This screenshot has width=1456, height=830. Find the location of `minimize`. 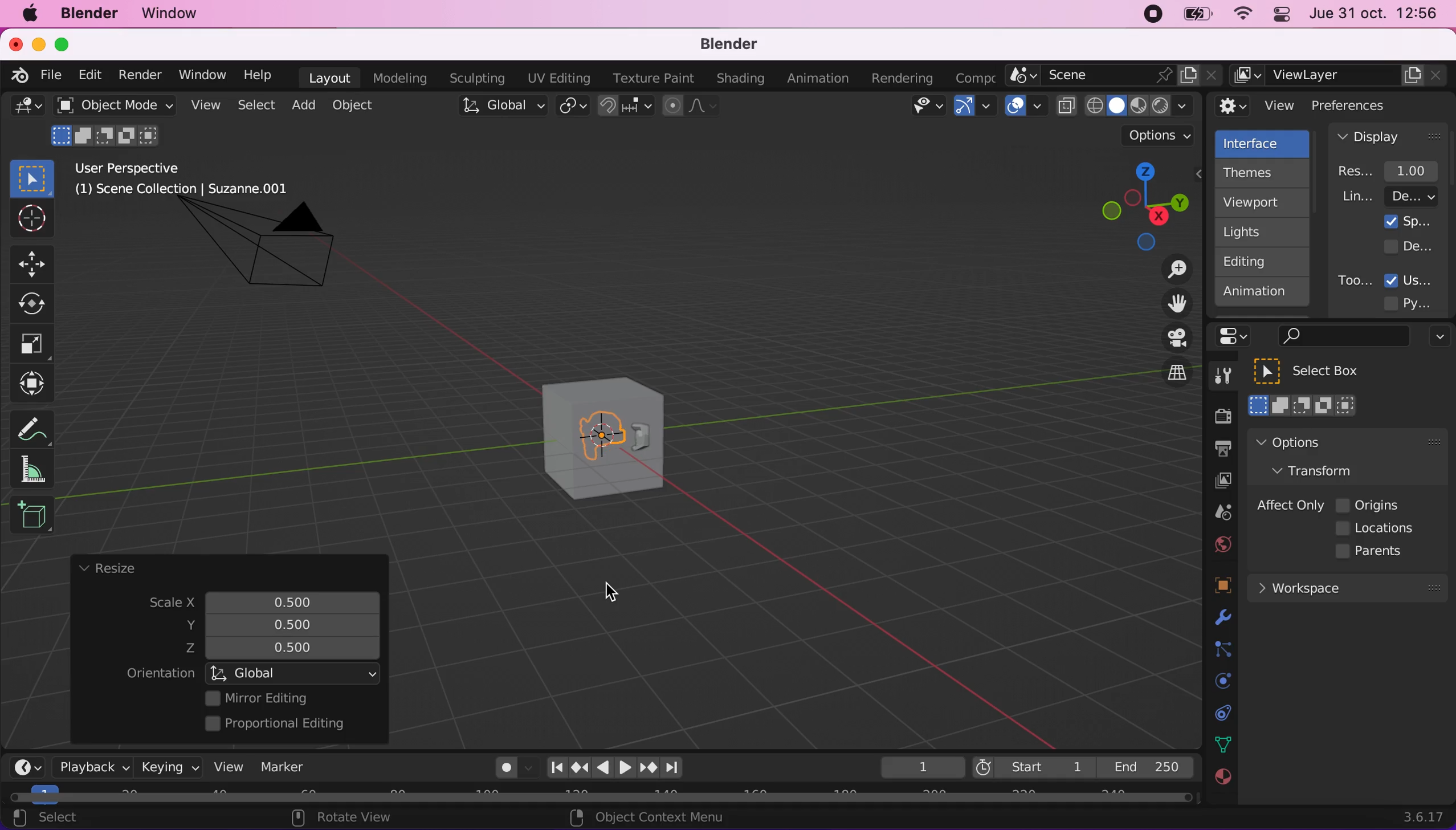

minimize is located at coordinates (36, 43).